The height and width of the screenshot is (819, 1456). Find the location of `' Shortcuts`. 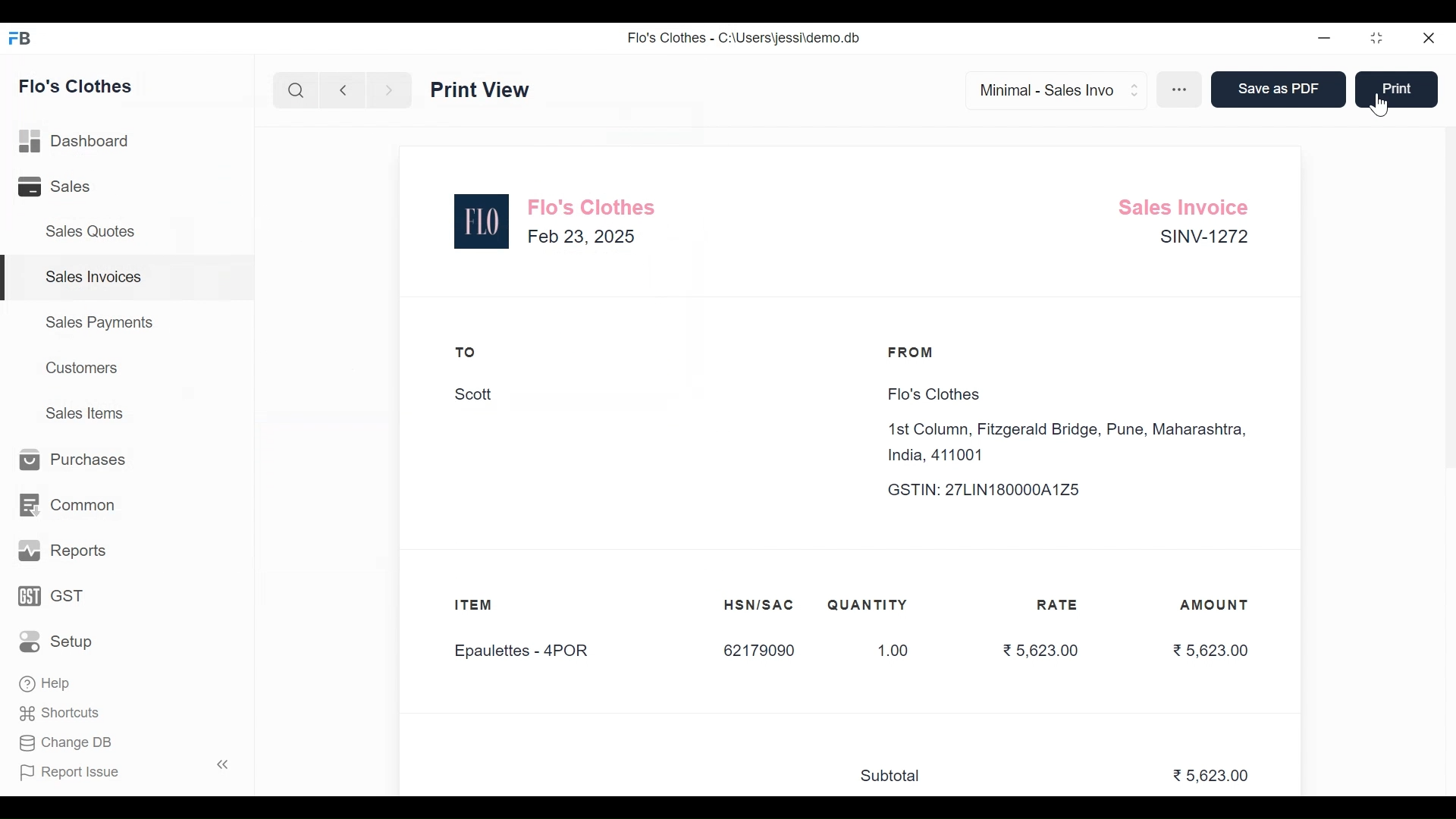

' Shortcuts is located at coordinates (64, 713).